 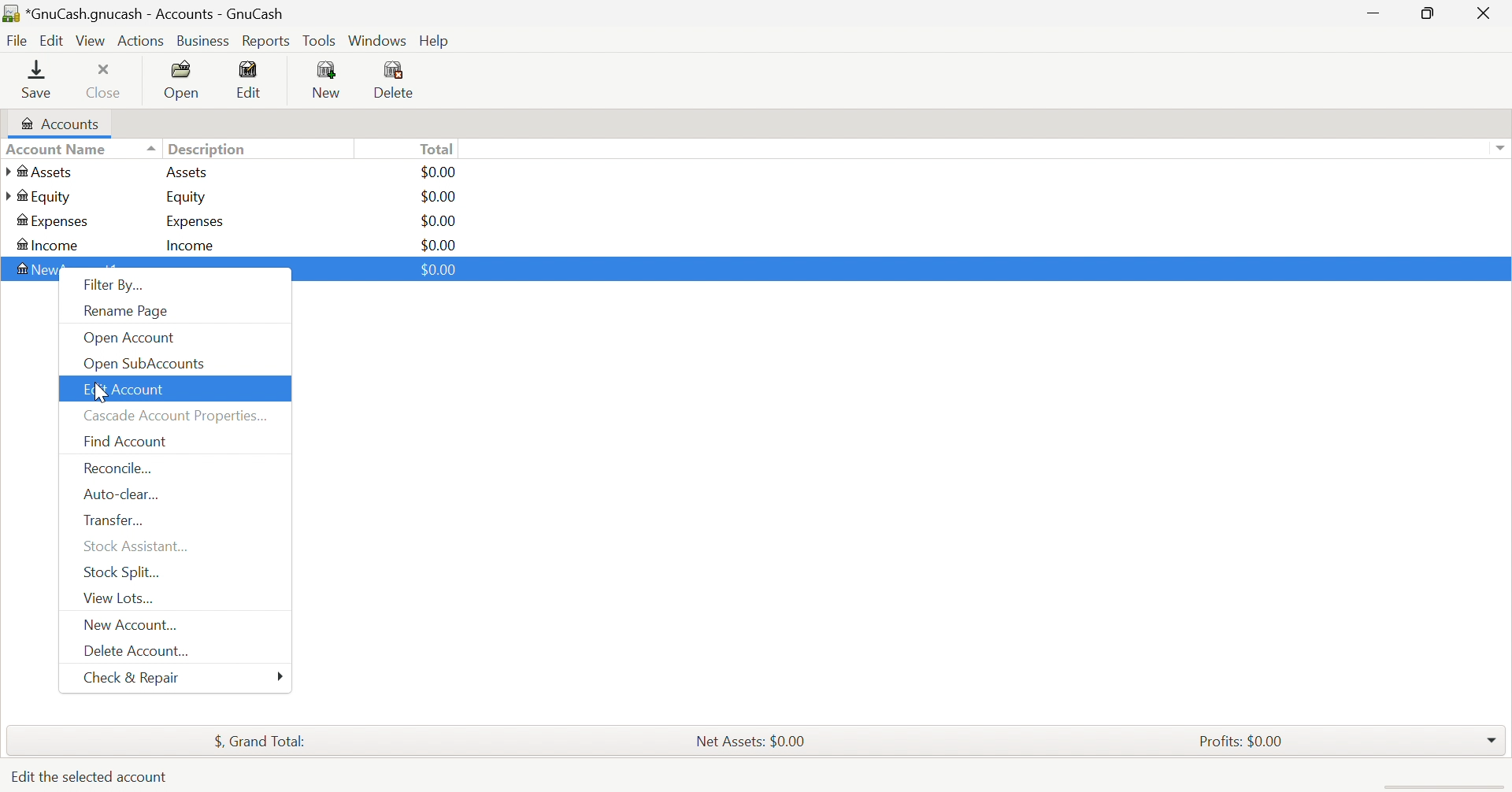 I want to click on Accounts, so click(x=61, y=122).